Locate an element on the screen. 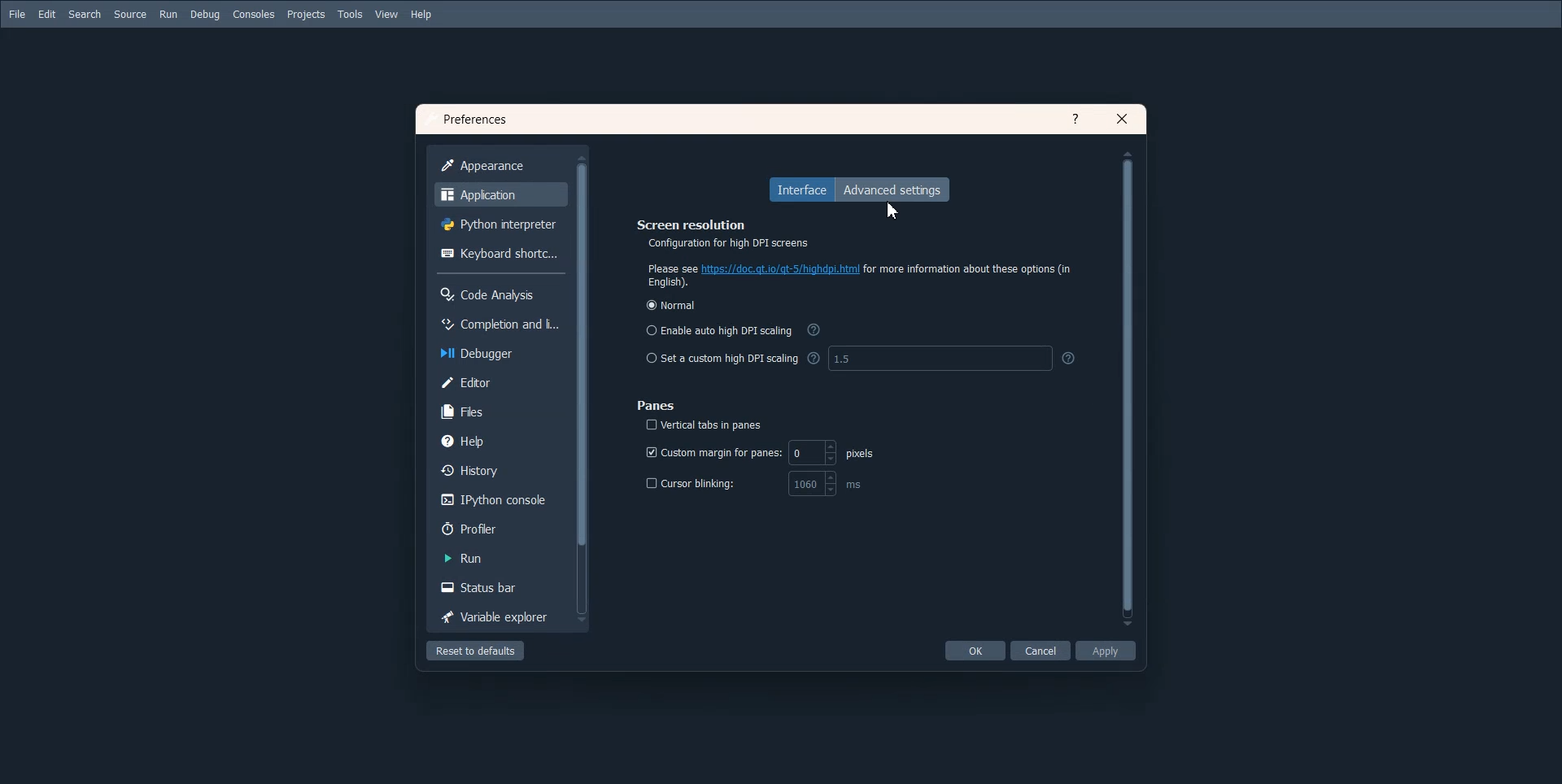 Image resolution: width=1562 pixels, height=784 pixels. Cancel is located at coordinates (1041, 650).